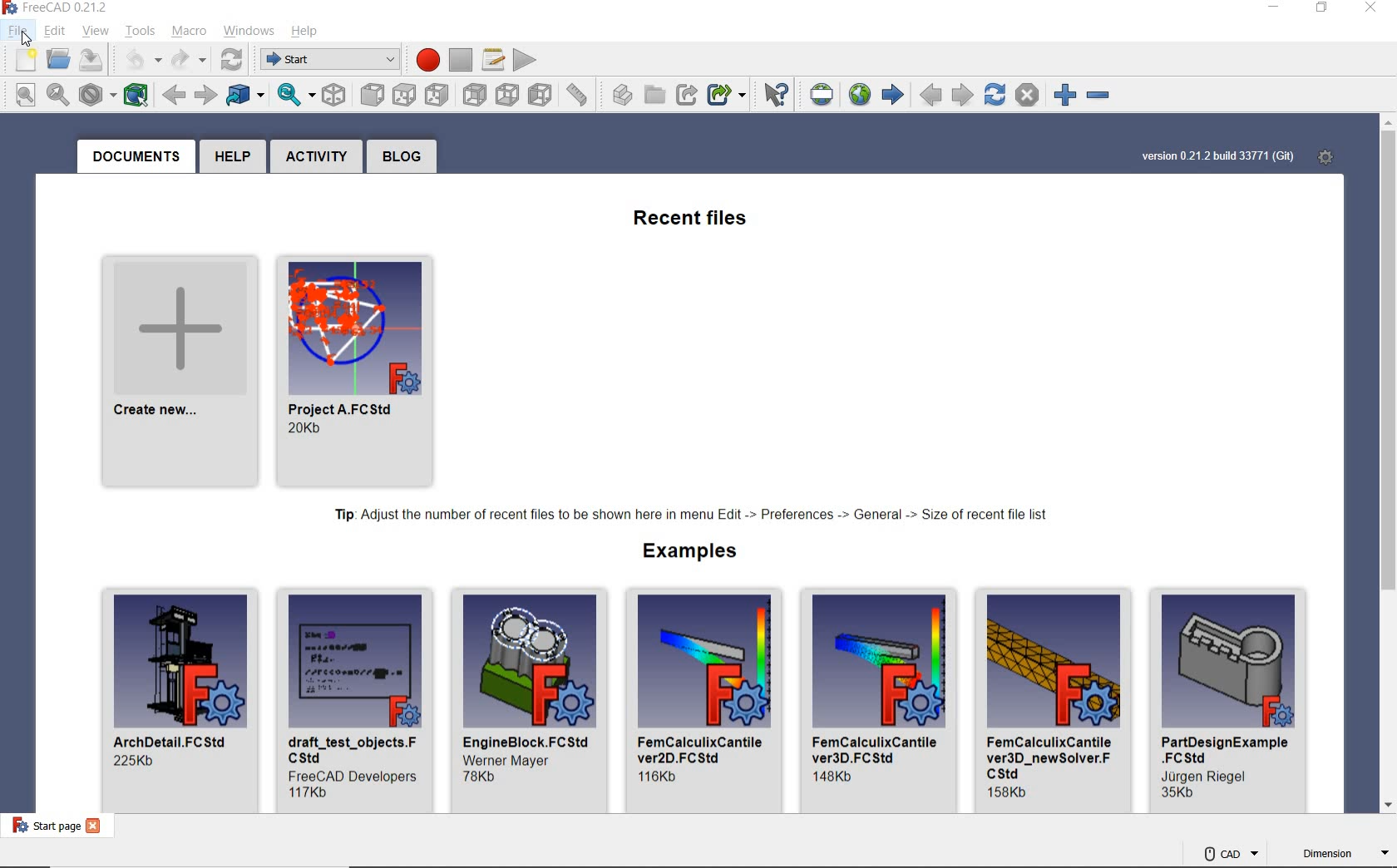  What do you see at coordinates (482, 777) in the screenshot?
I see `size` at bounding box center [482, 777].